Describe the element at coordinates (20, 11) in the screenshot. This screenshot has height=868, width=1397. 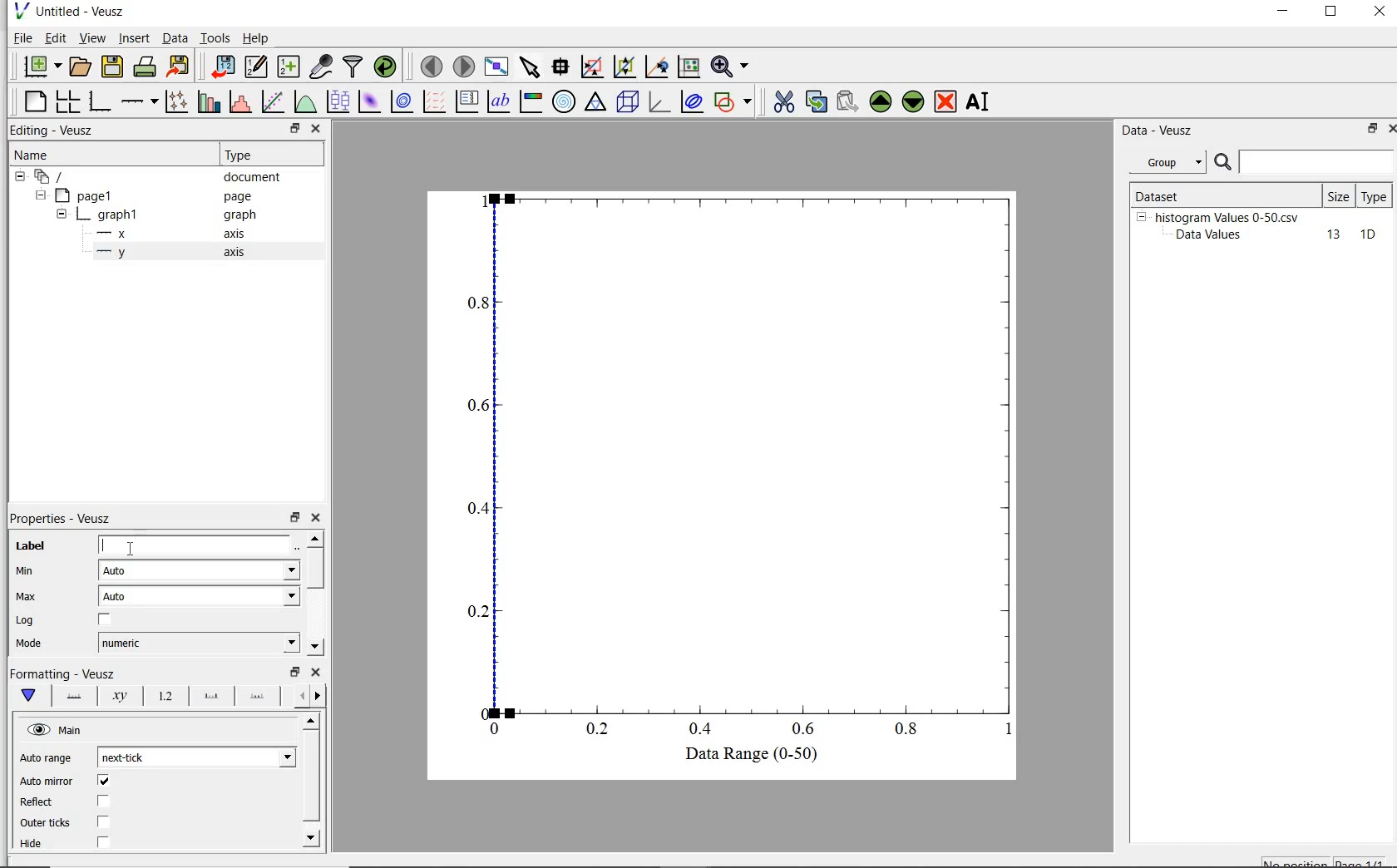
I see `veusz logo` at that location.